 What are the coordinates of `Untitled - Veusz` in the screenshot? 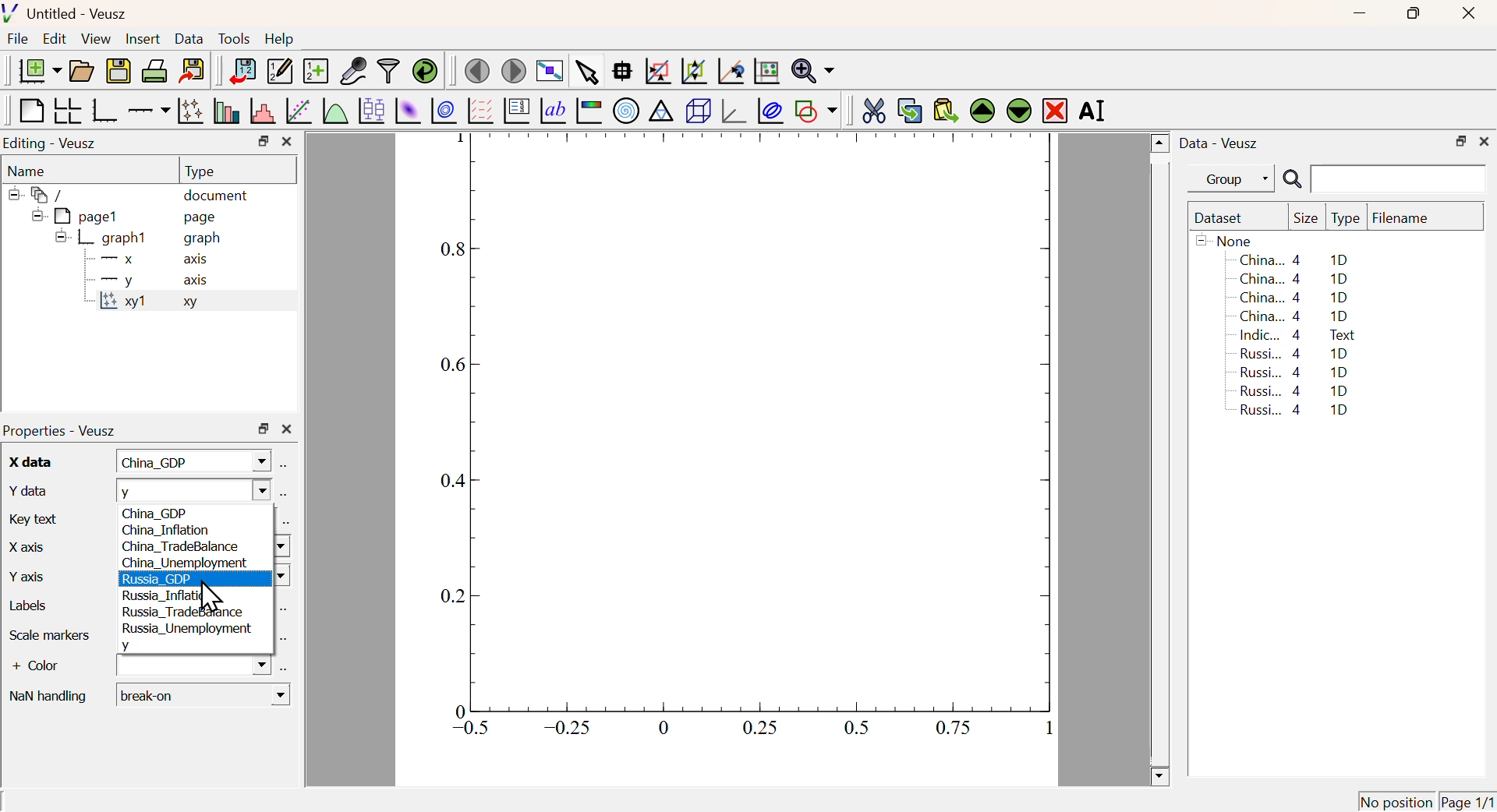 It's located at (69, 15).